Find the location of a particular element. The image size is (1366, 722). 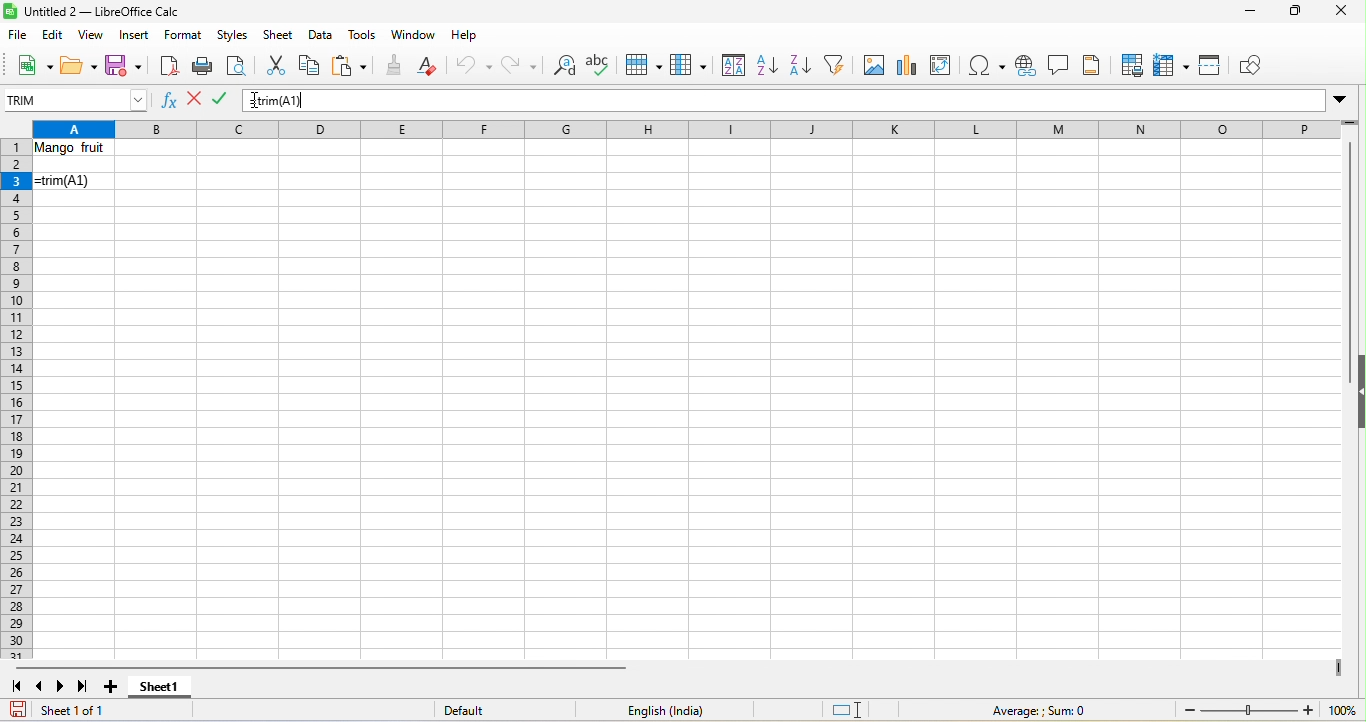

default is located at coordinates (485, 711).